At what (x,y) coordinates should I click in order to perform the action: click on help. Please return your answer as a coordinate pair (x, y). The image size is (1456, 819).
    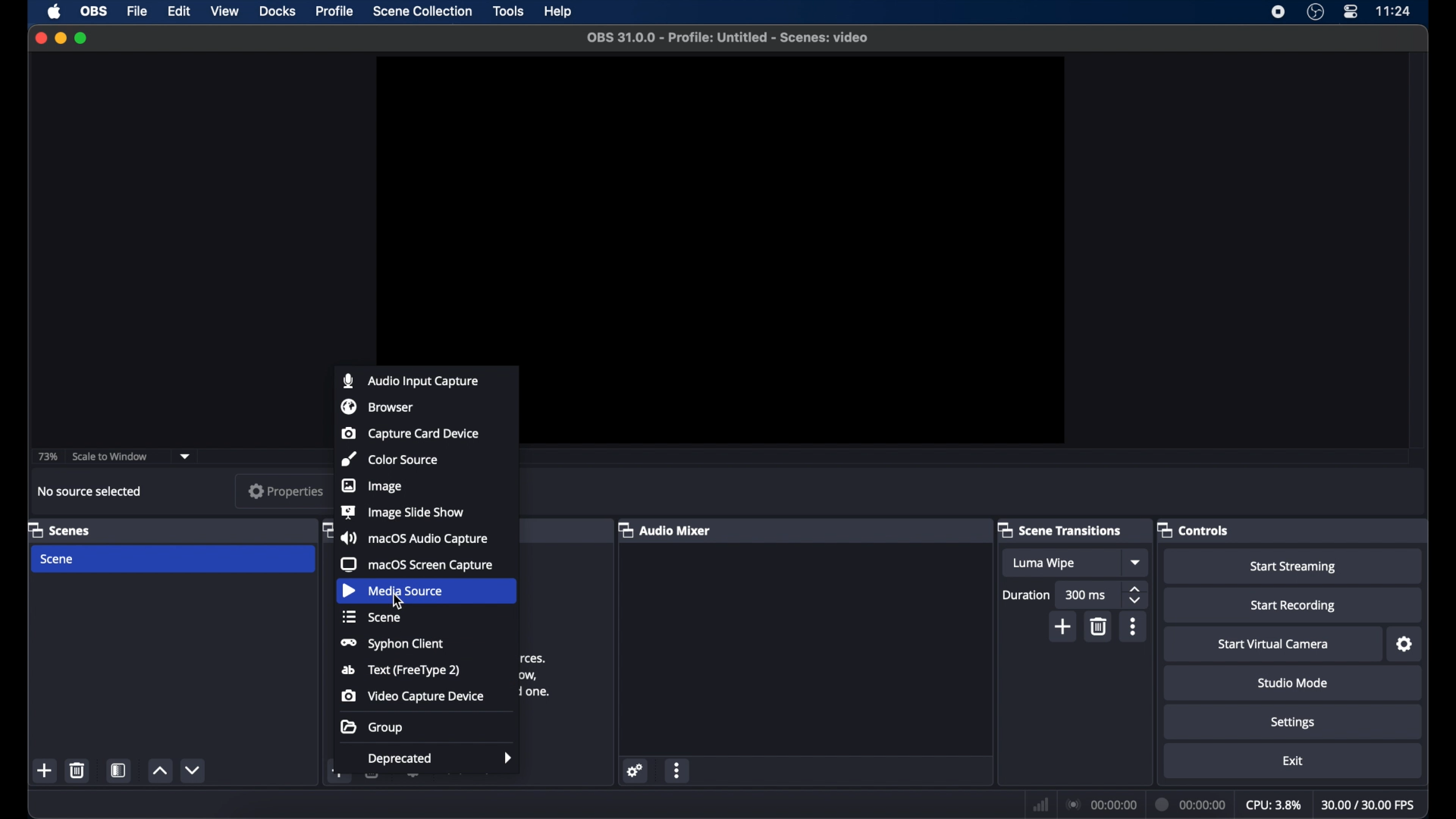
    Looking at the image, I should click on (559, 11).